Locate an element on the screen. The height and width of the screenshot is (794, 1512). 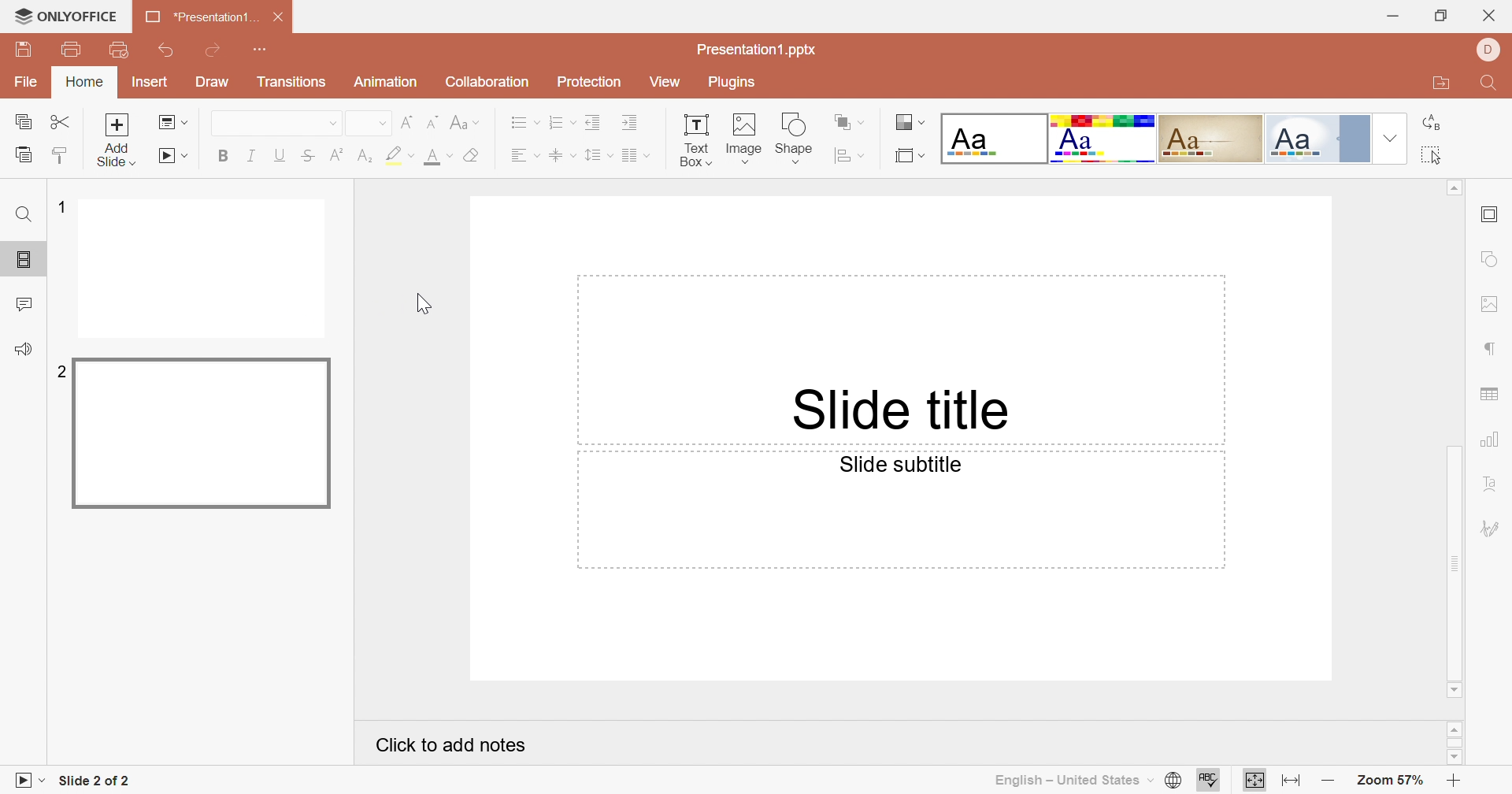
Slide subtitle is located at coordinates (898, 466).